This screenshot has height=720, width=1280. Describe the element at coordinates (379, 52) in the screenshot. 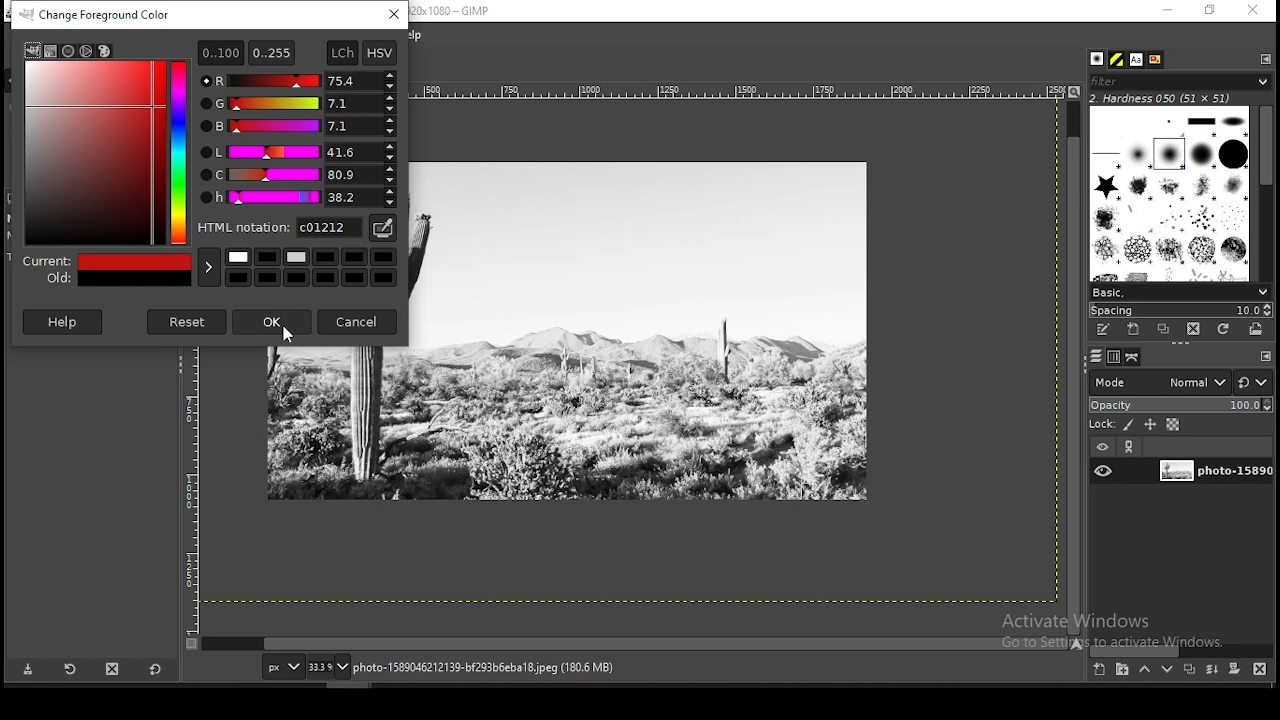

I see `HSV` at that location.